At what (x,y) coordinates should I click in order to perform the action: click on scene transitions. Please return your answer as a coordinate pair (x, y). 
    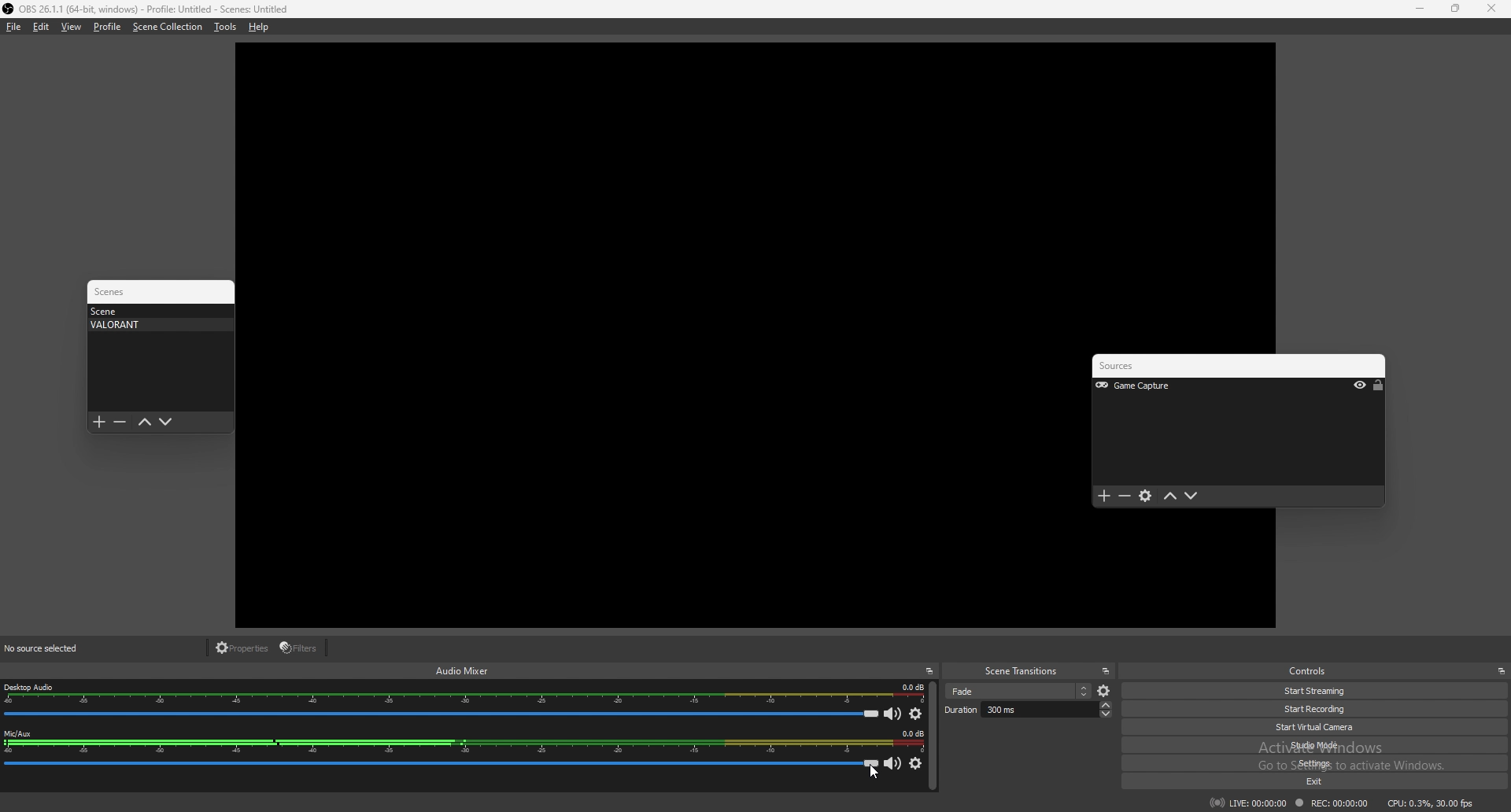
    Looking at the image, I should click on (1021, 672).